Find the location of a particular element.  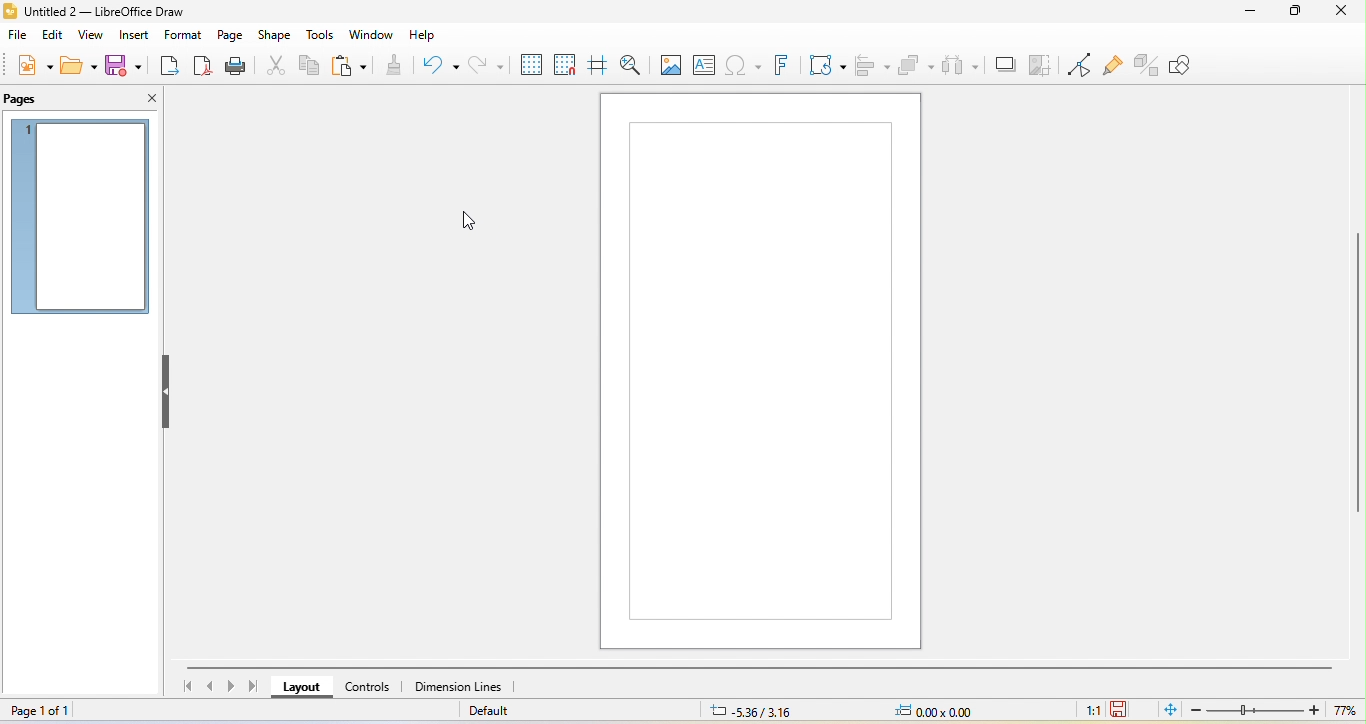

next page is located at coordinates (234, 687).